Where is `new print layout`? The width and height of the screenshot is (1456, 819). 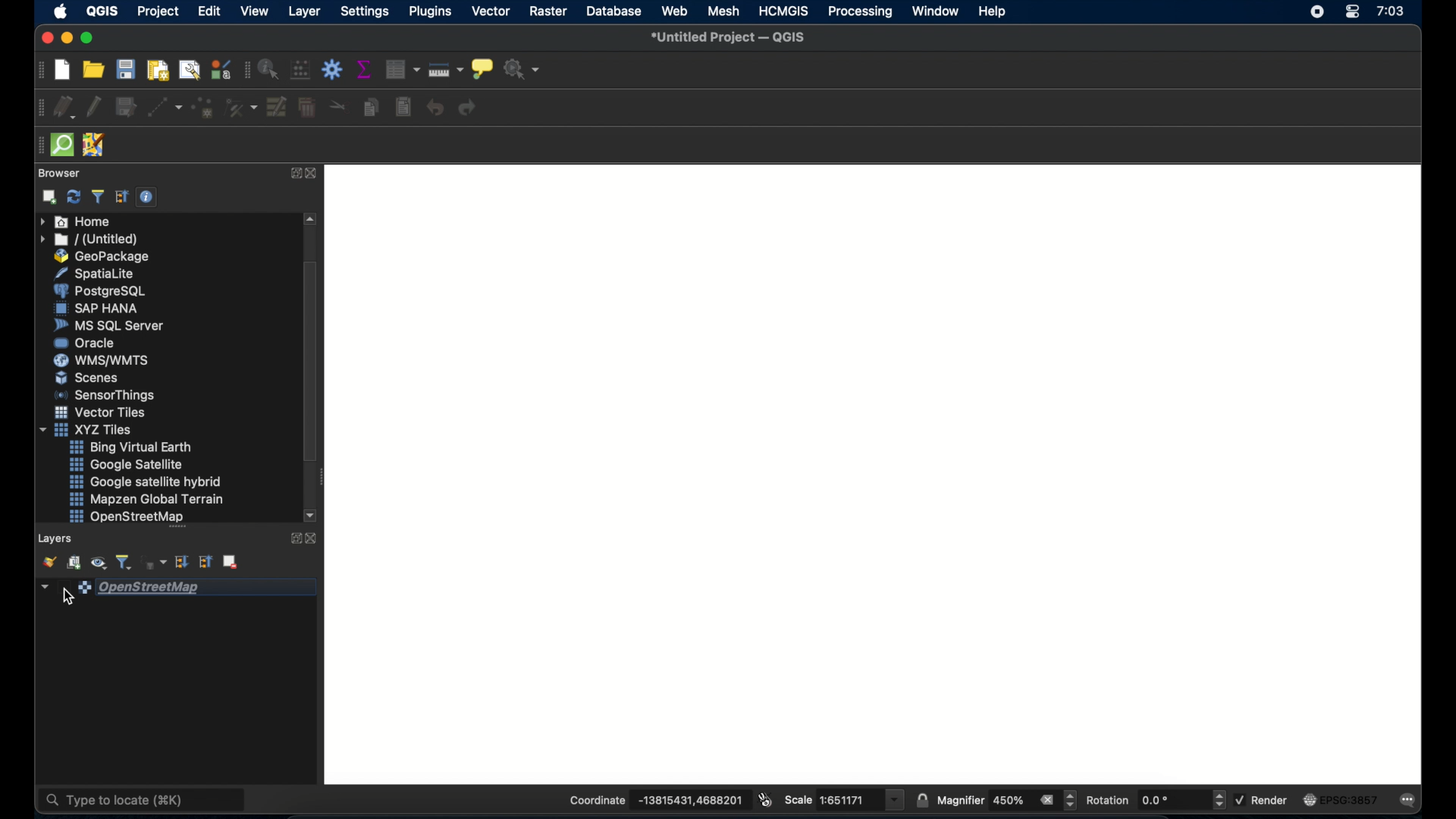 new print layout is located at coordinates (157, 71).